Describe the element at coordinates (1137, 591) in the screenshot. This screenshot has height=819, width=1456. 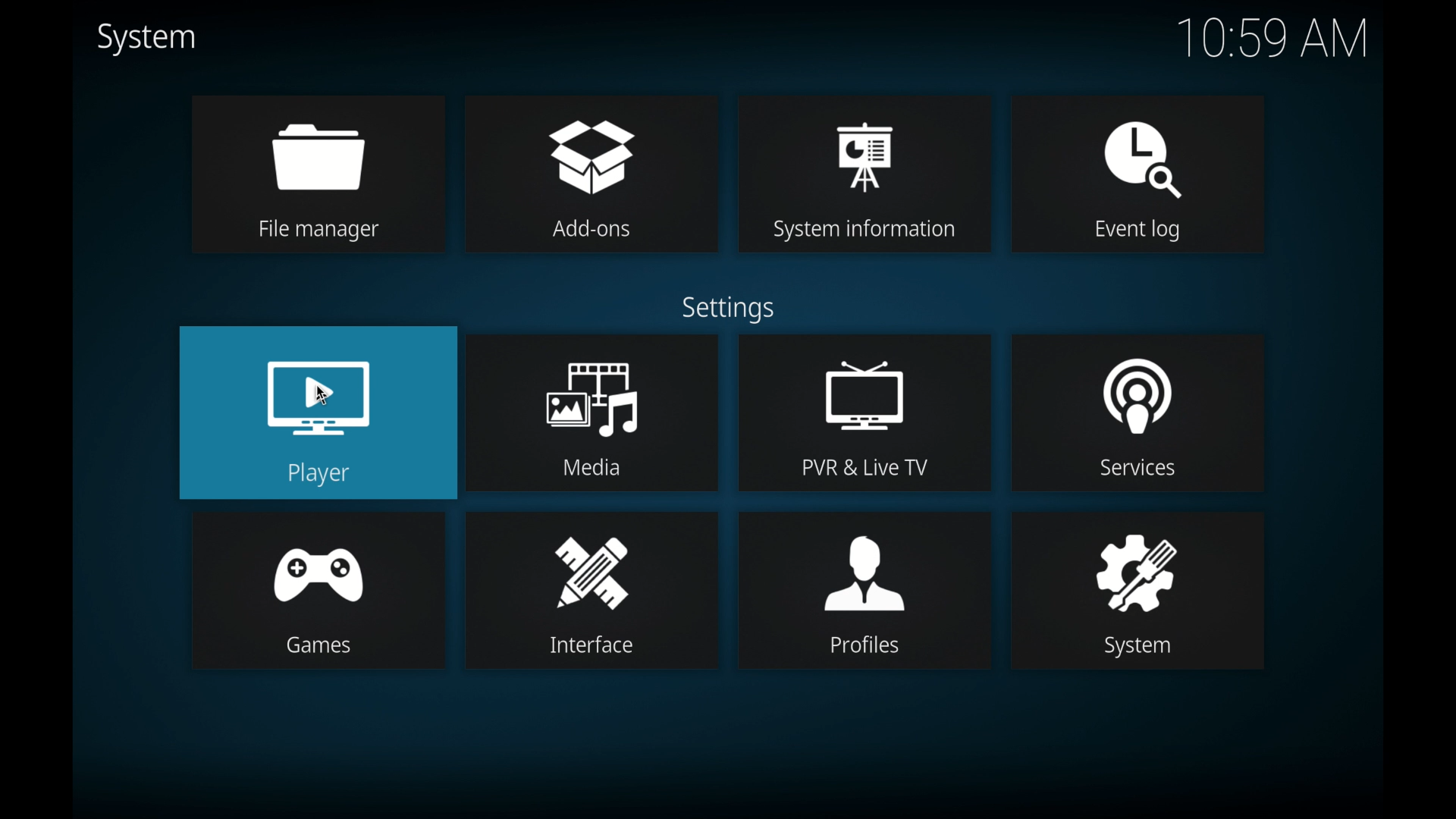
I see `system` at that location.